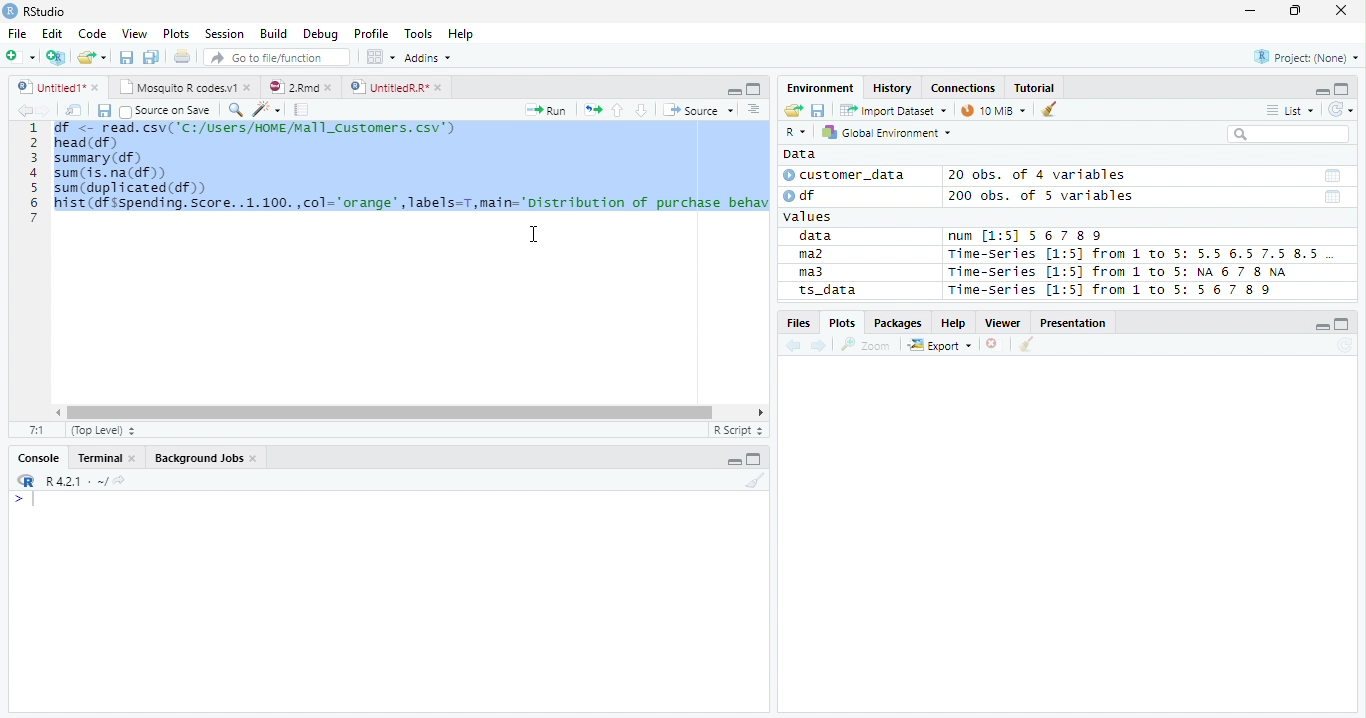 This screenshot has height=718, width=1366. What do you see at coordinates (176, 34) in the screenshot?
I see `Plots` at bounding box center [176, 34].